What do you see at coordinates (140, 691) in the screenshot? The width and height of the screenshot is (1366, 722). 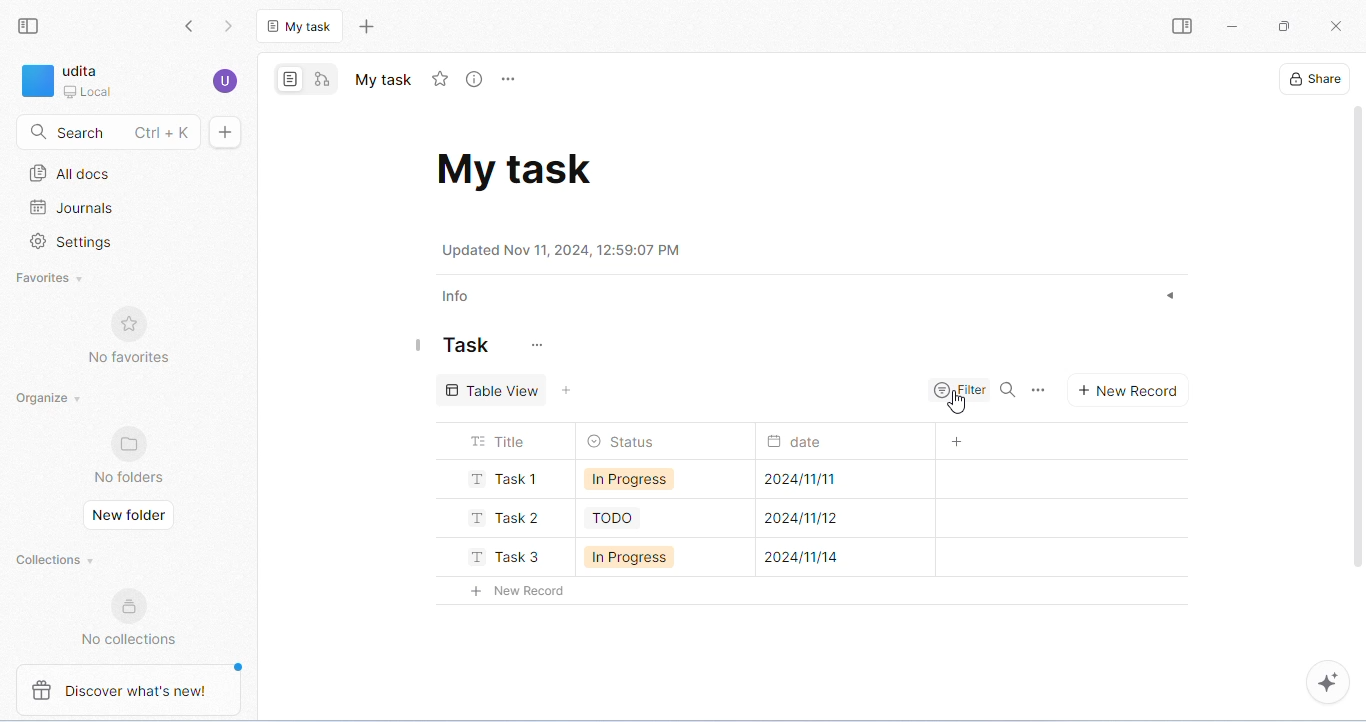 I see `discover what's new` at bounding box center [140, 691].